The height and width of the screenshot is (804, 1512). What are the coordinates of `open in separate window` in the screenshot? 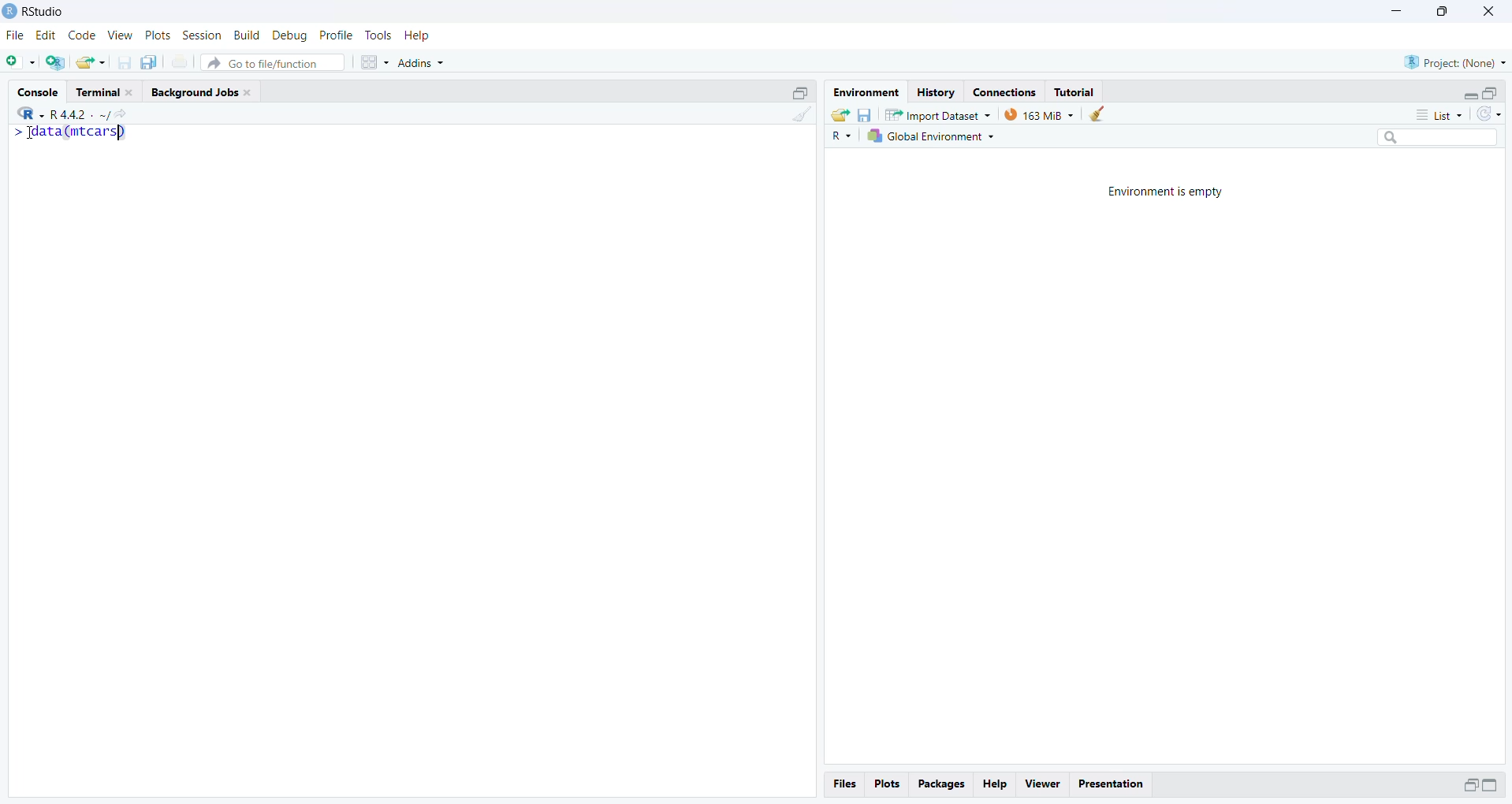 It's located at (1488, 94).